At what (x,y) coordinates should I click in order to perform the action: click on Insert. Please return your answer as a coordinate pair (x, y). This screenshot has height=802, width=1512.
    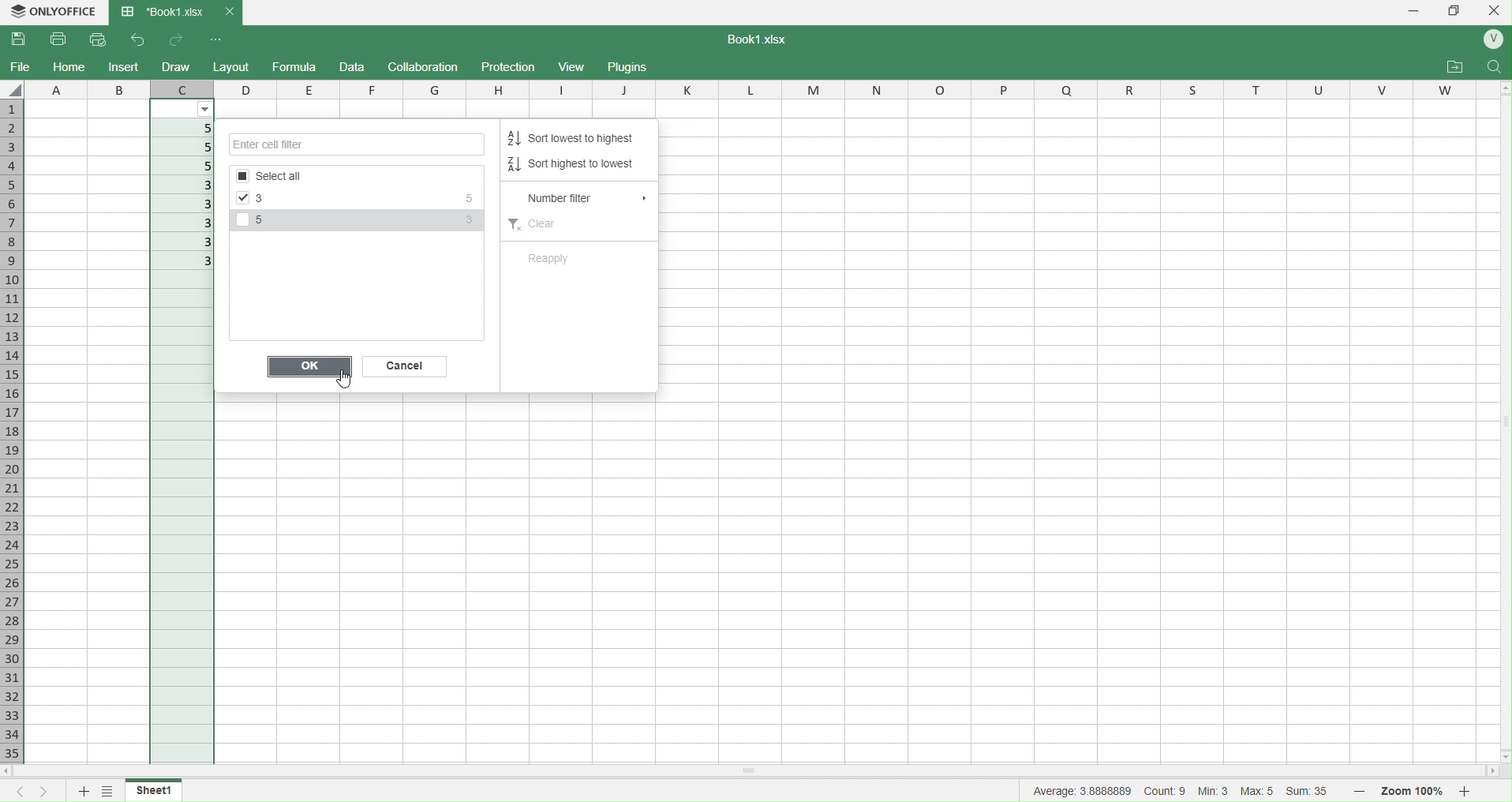
    Looking at the image, I should click on (125, 66).